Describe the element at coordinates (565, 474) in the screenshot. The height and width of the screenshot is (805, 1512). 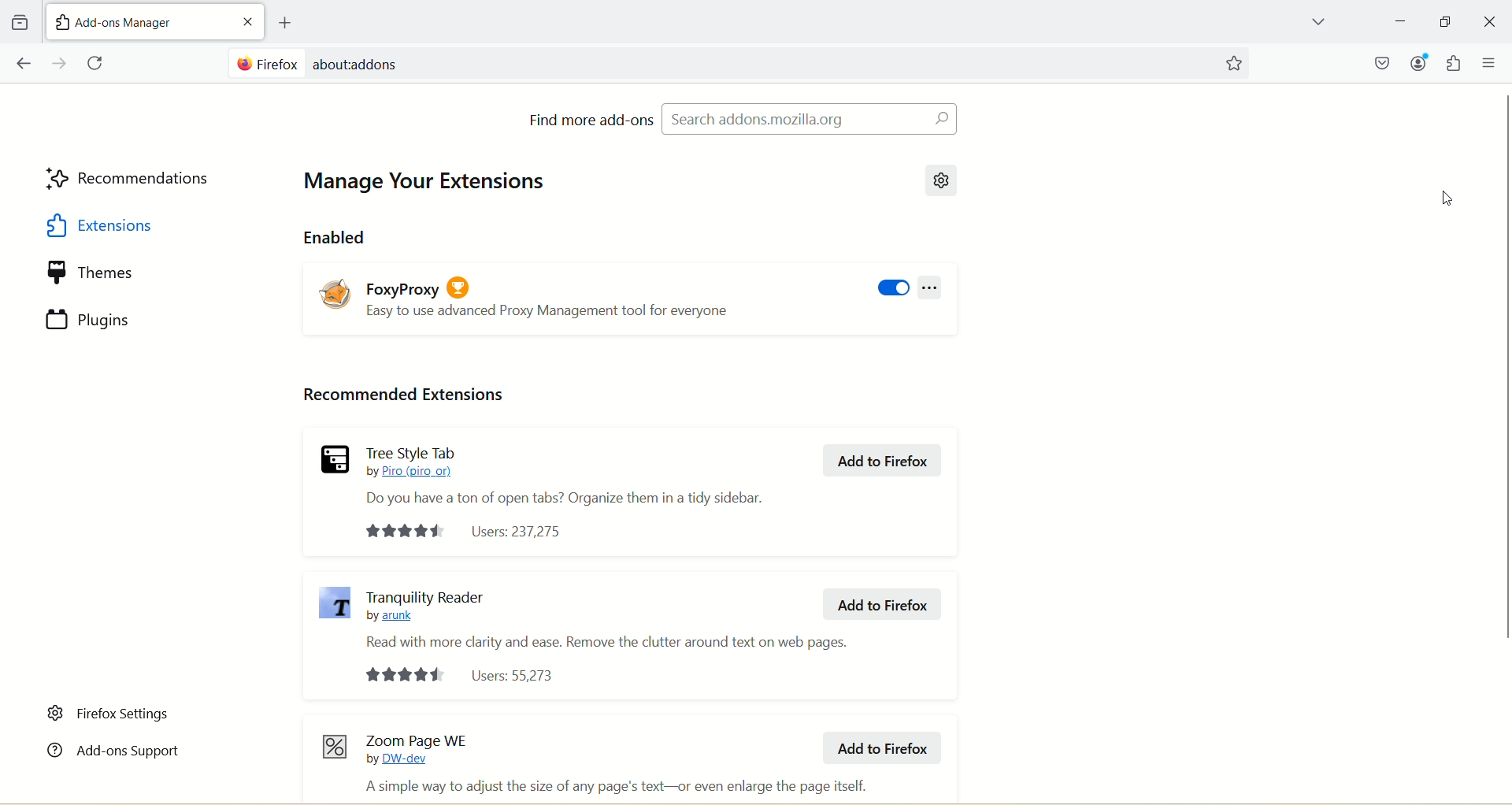
I see `Tree Style Tab
by Piro (piro_or)
Do you have a ton of open tabs? Organize them in a tidy sidebar.` at that location.